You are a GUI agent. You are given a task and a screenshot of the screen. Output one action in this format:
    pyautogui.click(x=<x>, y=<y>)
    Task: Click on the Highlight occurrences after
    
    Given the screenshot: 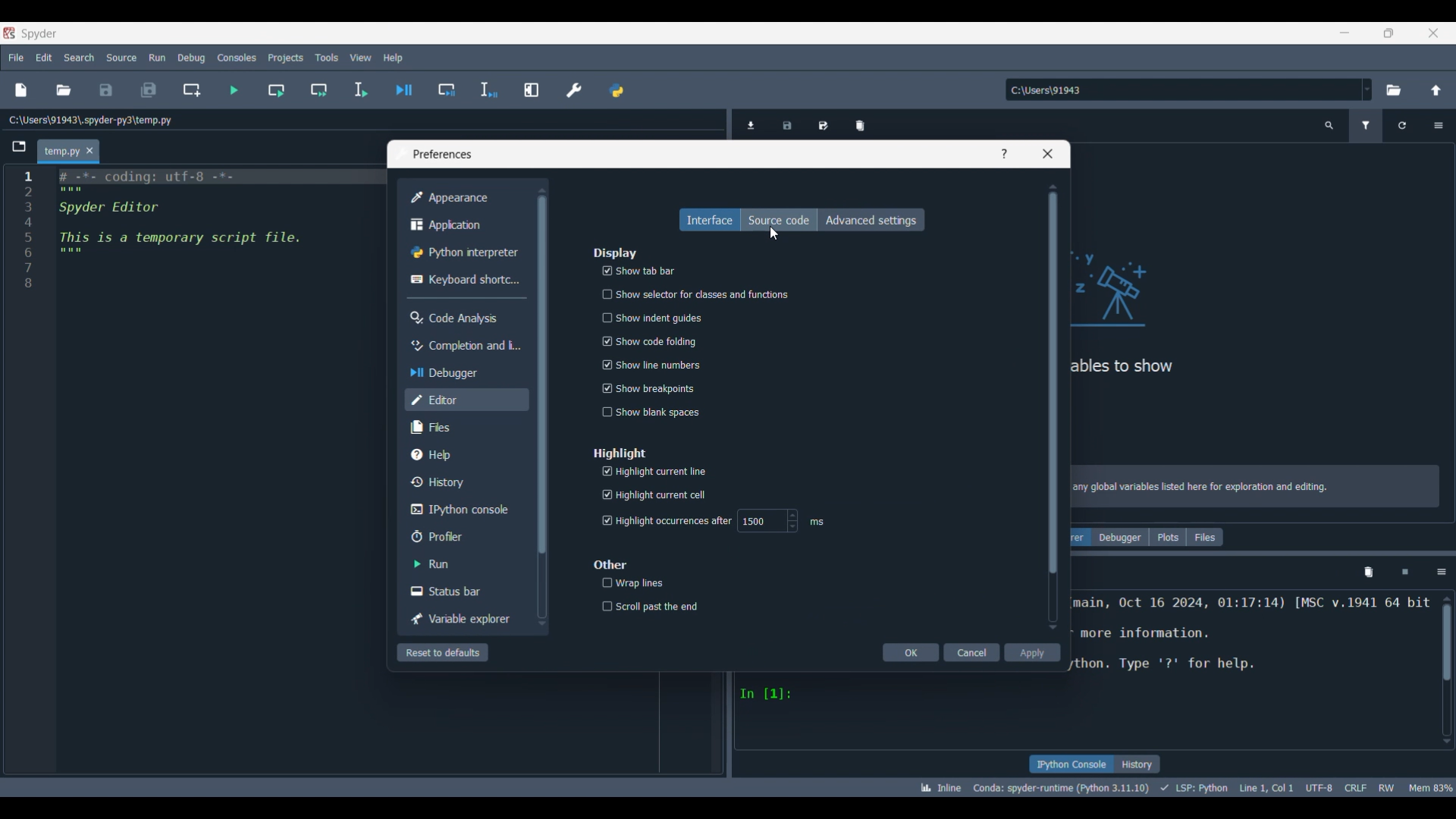 What is the action you would take?
    pyautogui.click(x=667, y=522)
    